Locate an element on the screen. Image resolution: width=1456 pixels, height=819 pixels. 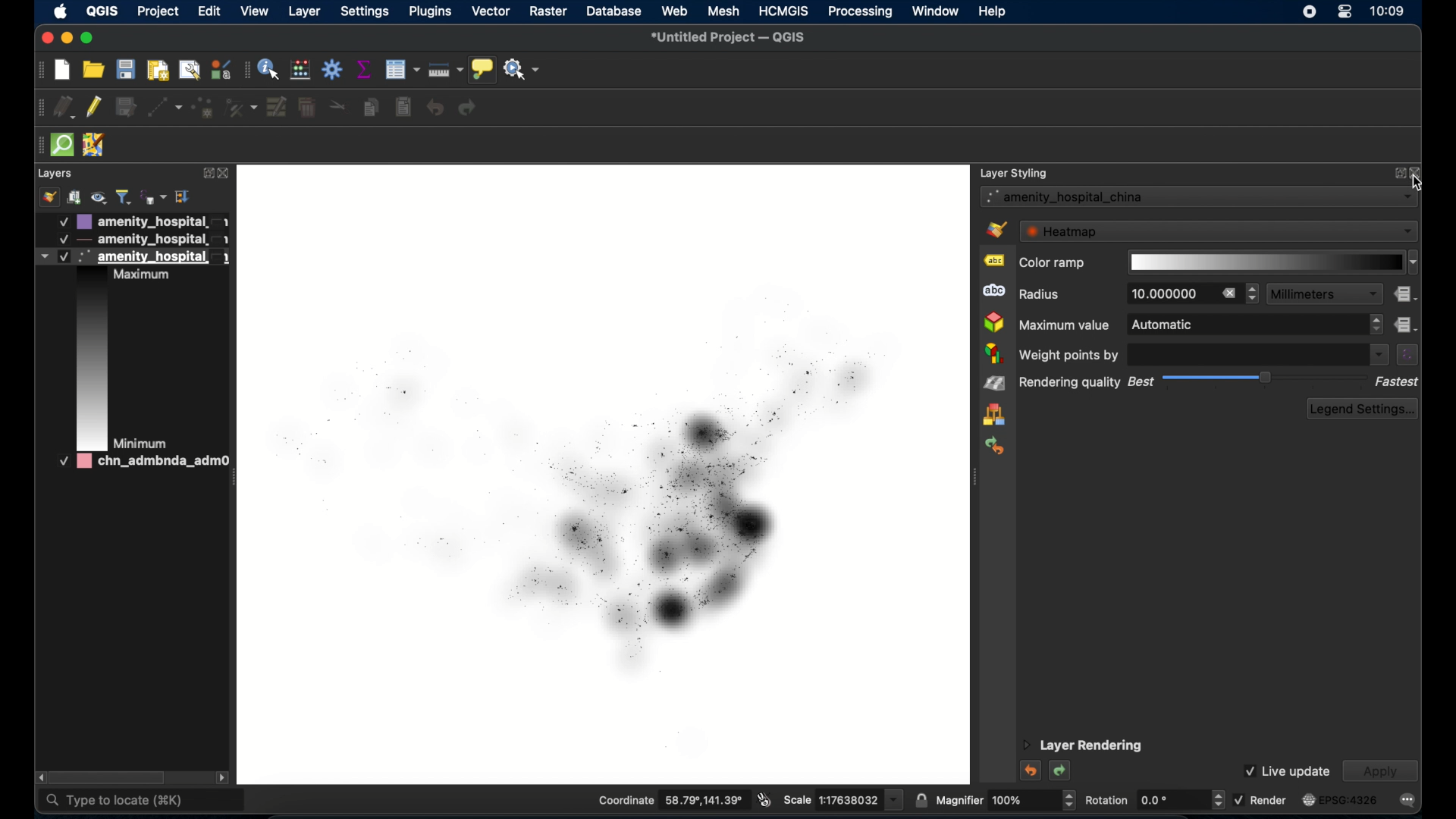
apply is located at coordinates (1381, 771).